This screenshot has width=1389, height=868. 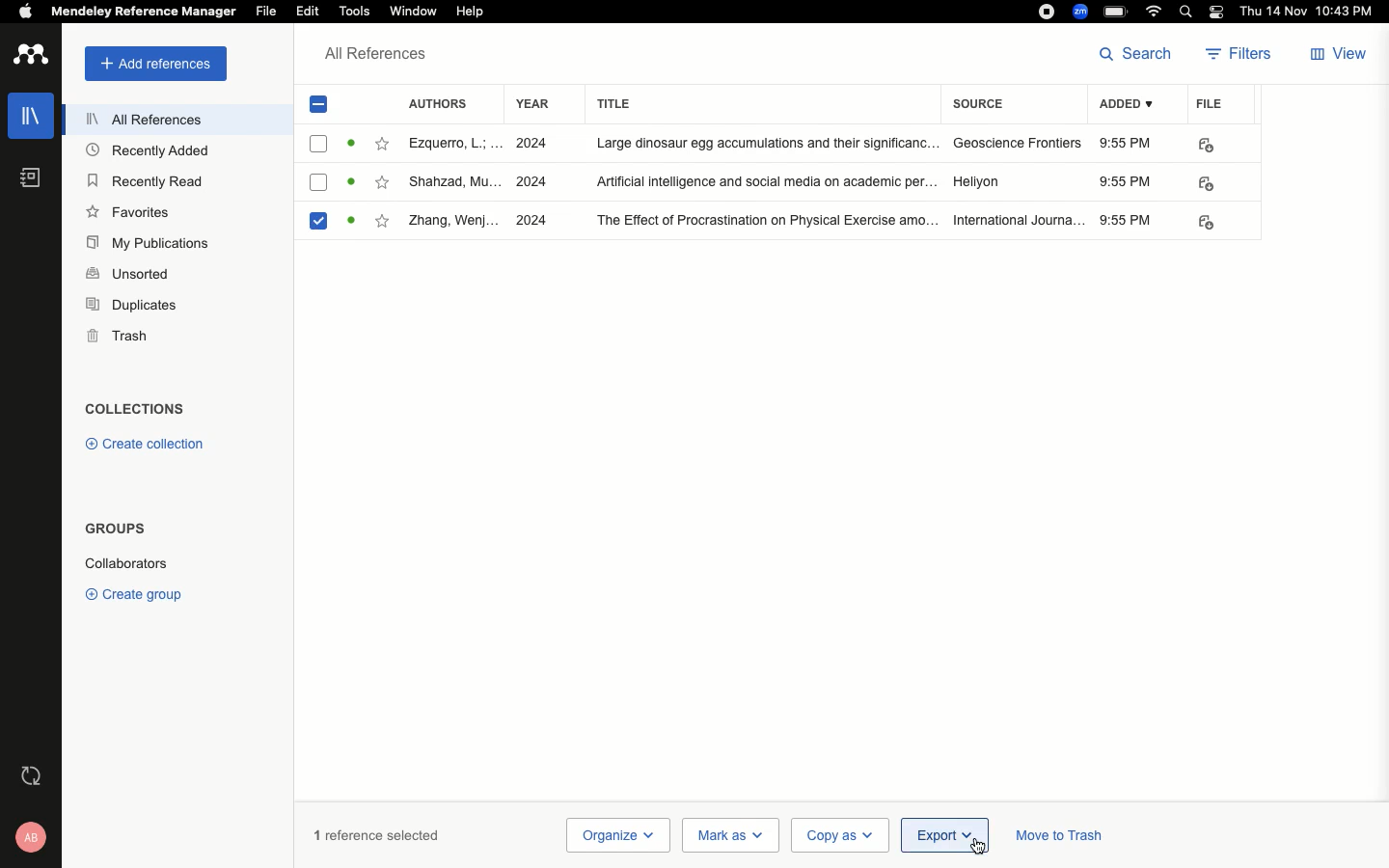 What do you see at coordinates (118, 336) in the screenshot?
I see `Trash` at bounding box center [118, 336].